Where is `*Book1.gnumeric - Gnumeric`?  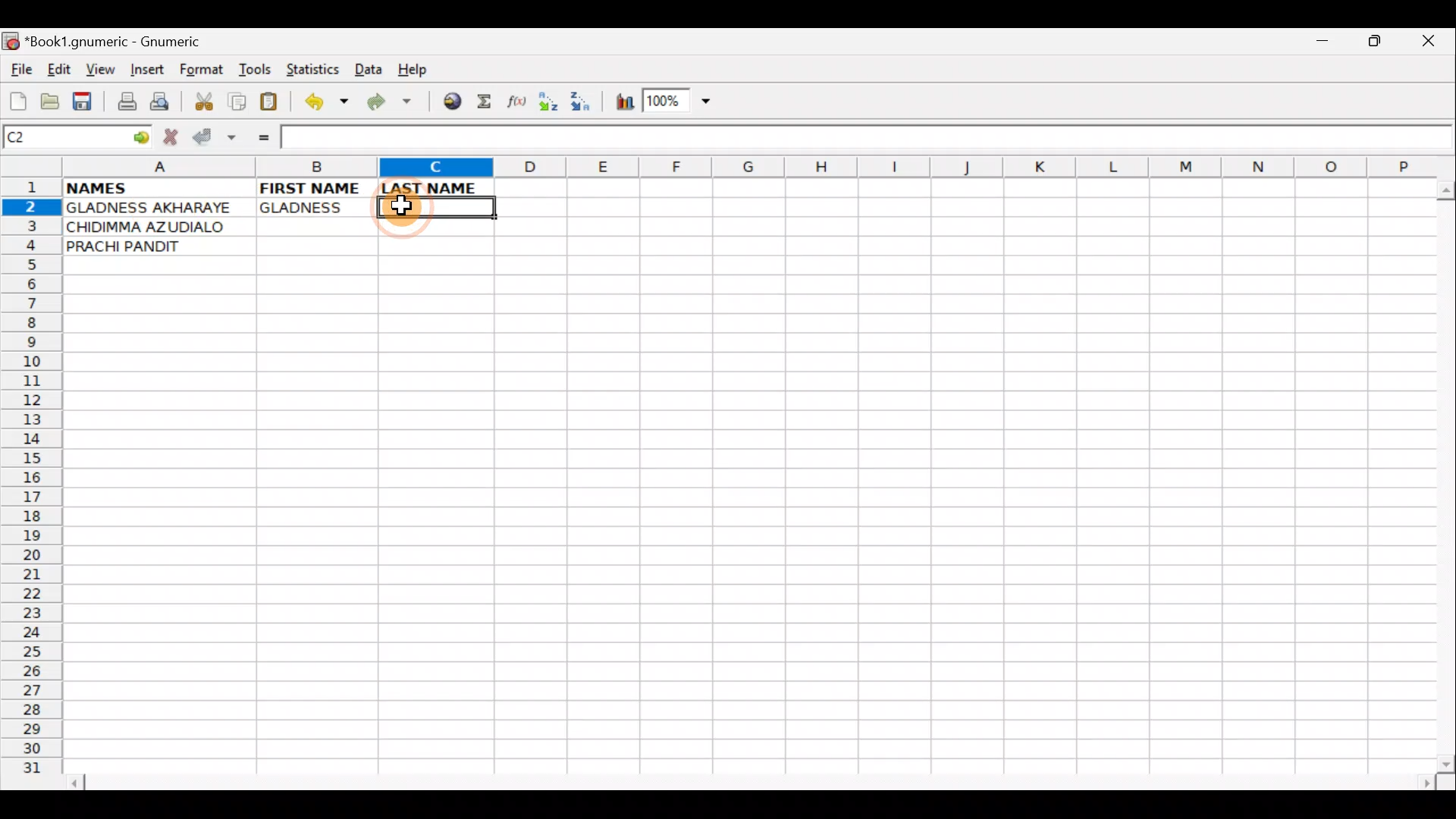
*Book1.gnumeric - Gnumeric is located at coordinates (127, 42).